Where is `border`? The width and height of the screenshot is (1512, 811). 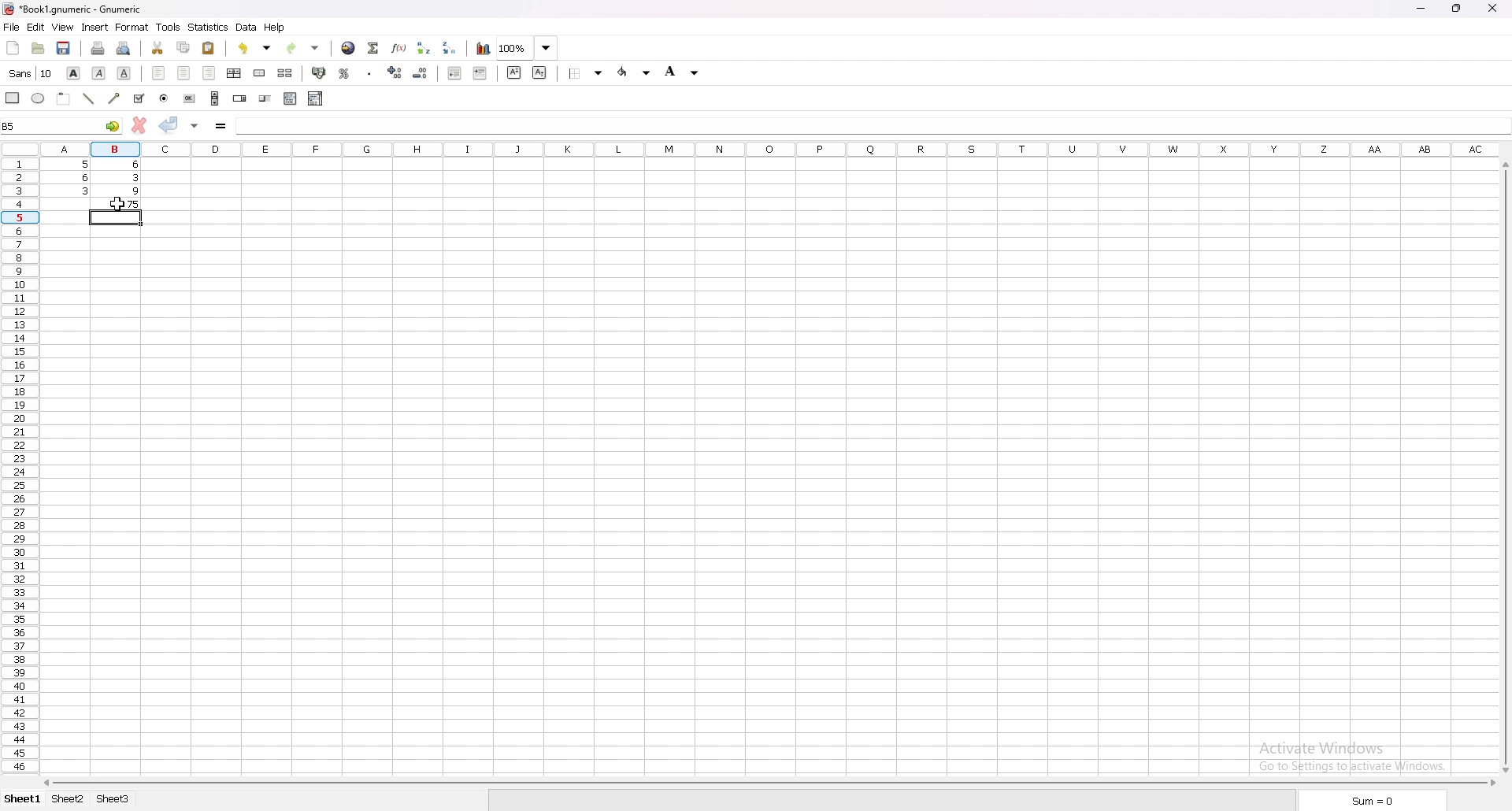
border is located at coordinates (583, 73).